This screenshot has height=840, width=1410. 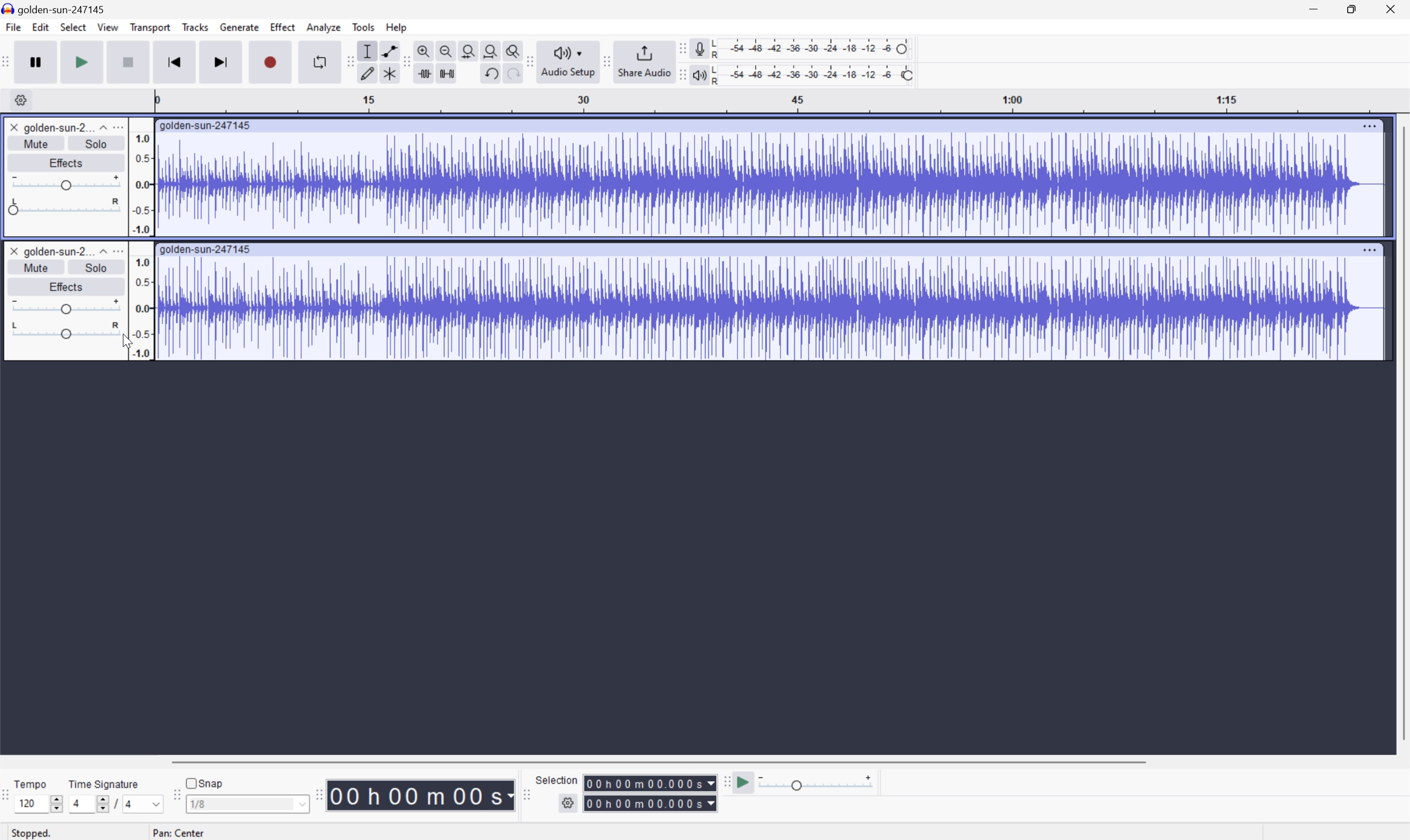 What do you see at coordinates (661, 761) in the screenshot?
I see `Scroll Bar` at bounding box center [661, 761].